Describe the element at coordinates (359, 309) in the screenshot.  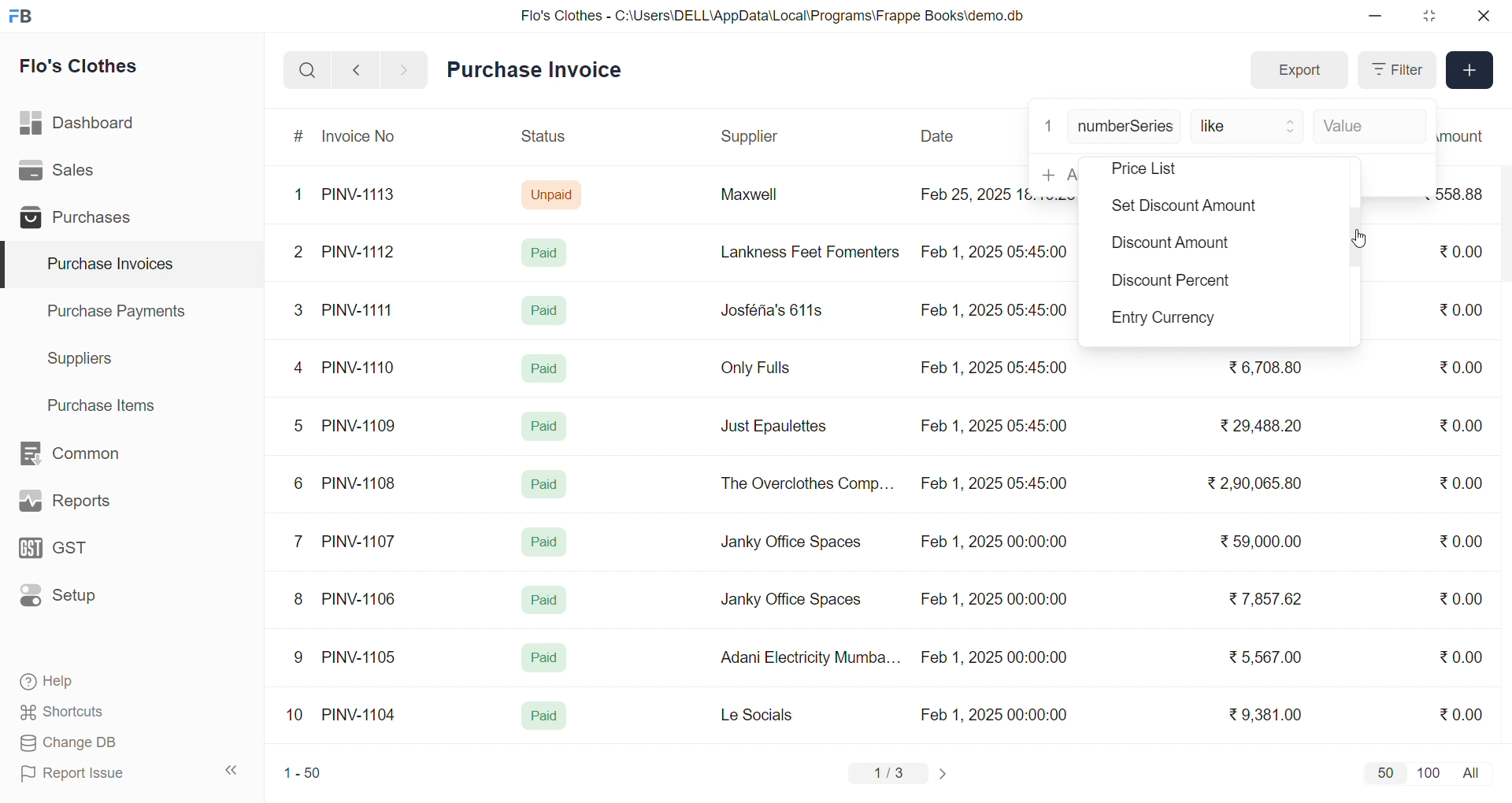
I see `PINV-1111` at that location.